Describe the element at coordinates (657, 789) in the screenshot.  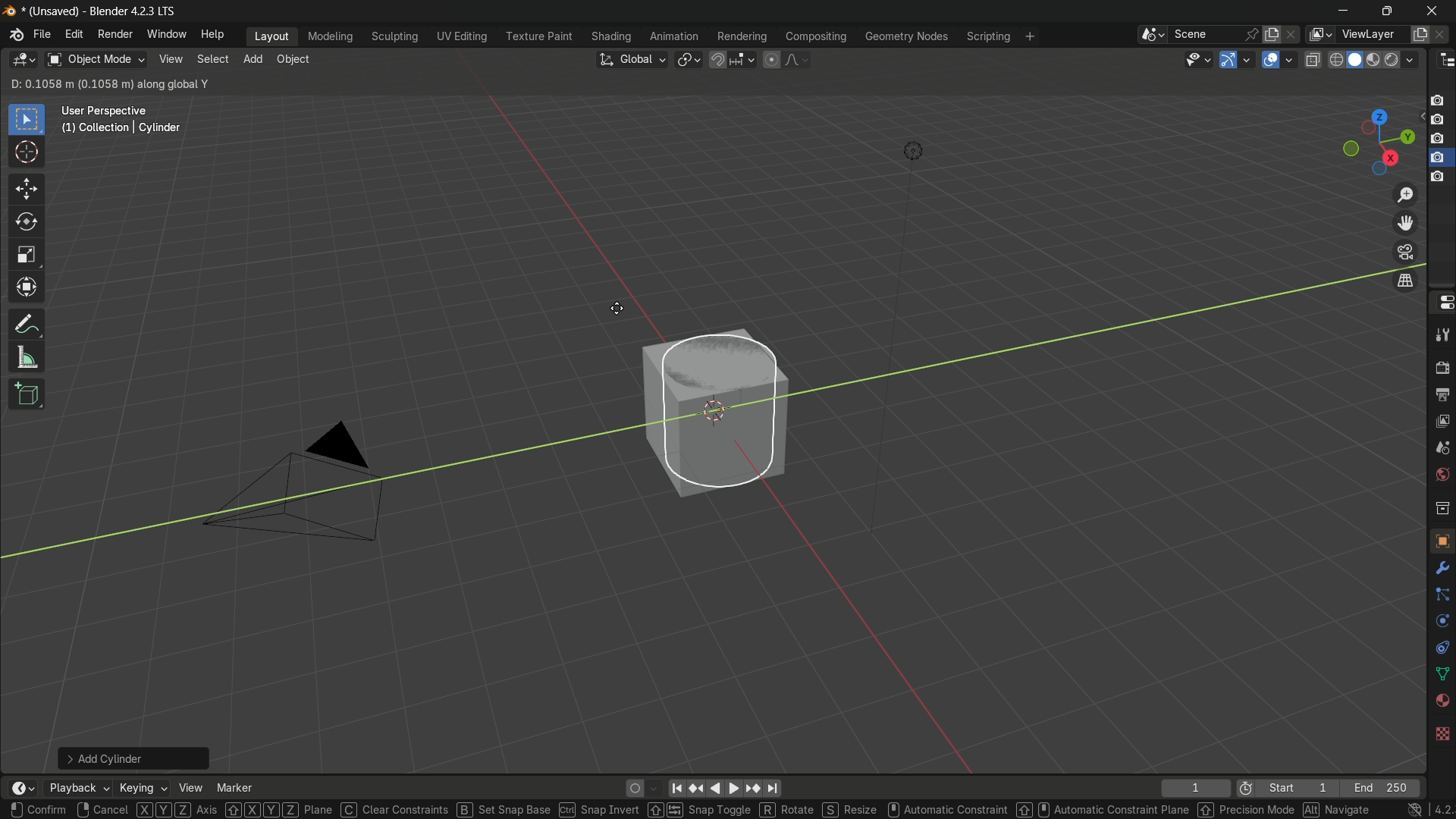
I see `auto keyframing` at that location.